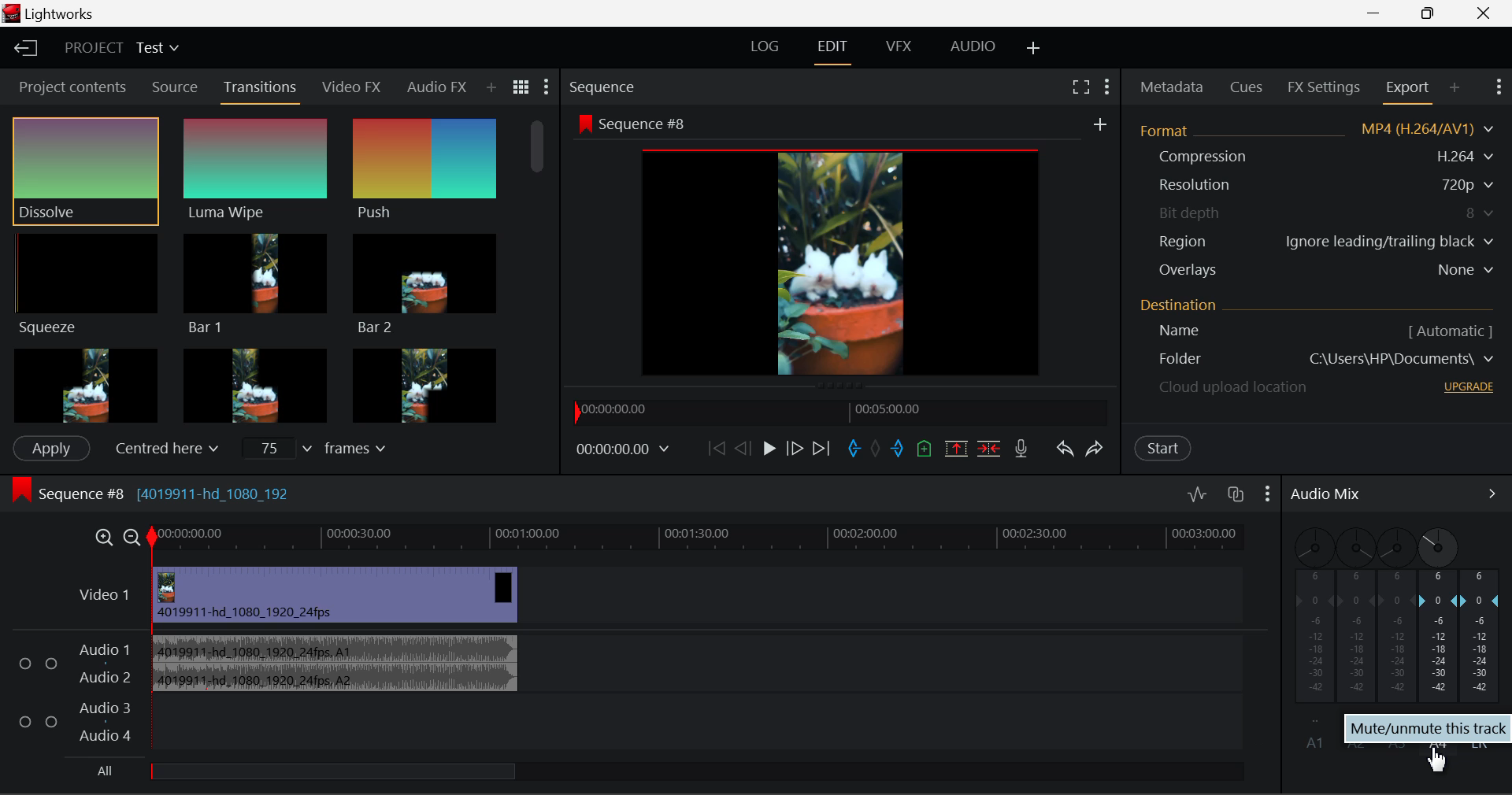  I want to click on Centered here, so click(162, 448).